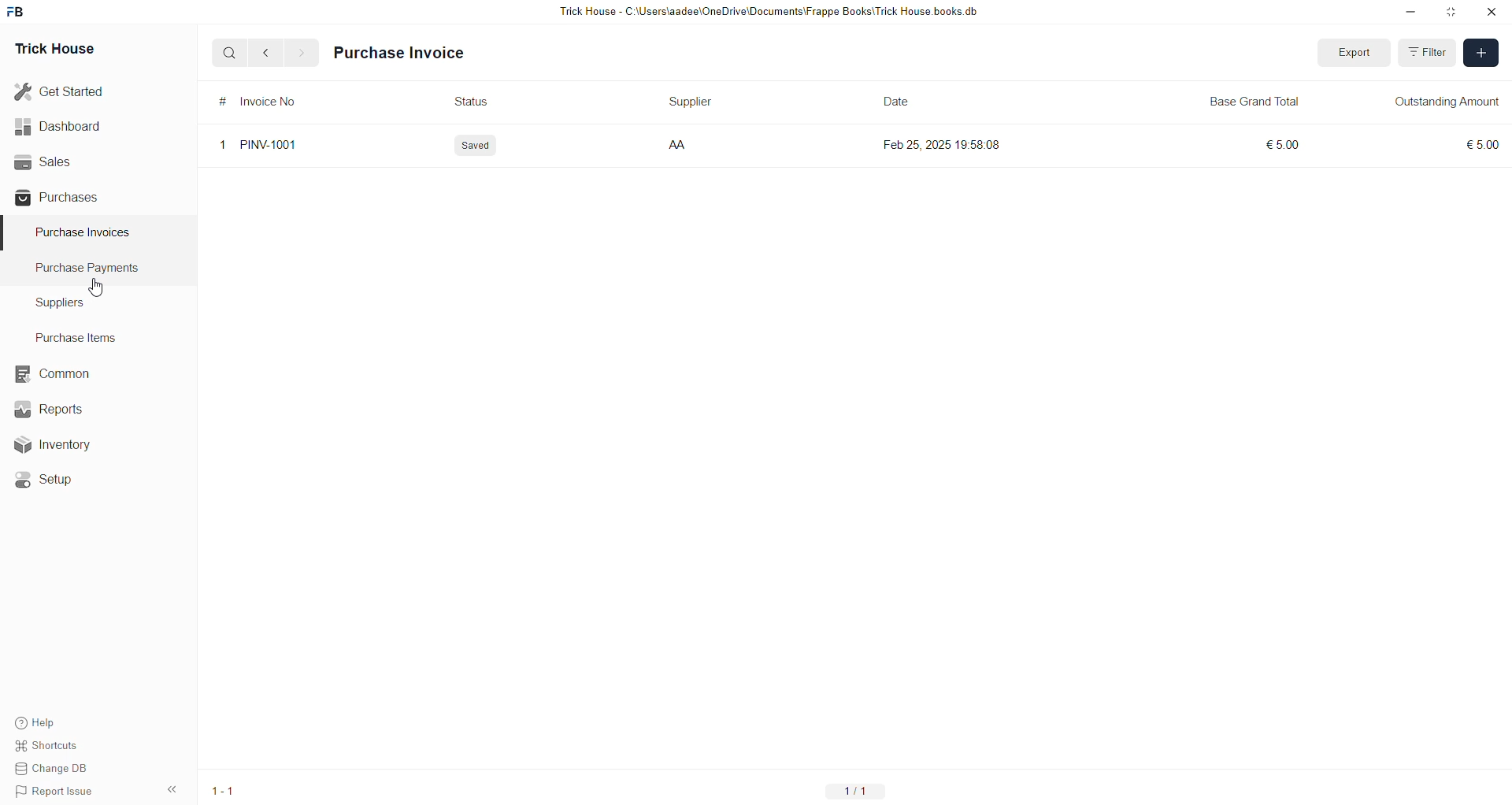  What do you see at coordinates (47, 746) in the screenshot?
I see `Shortcuts` at bounding box center [47, 746].